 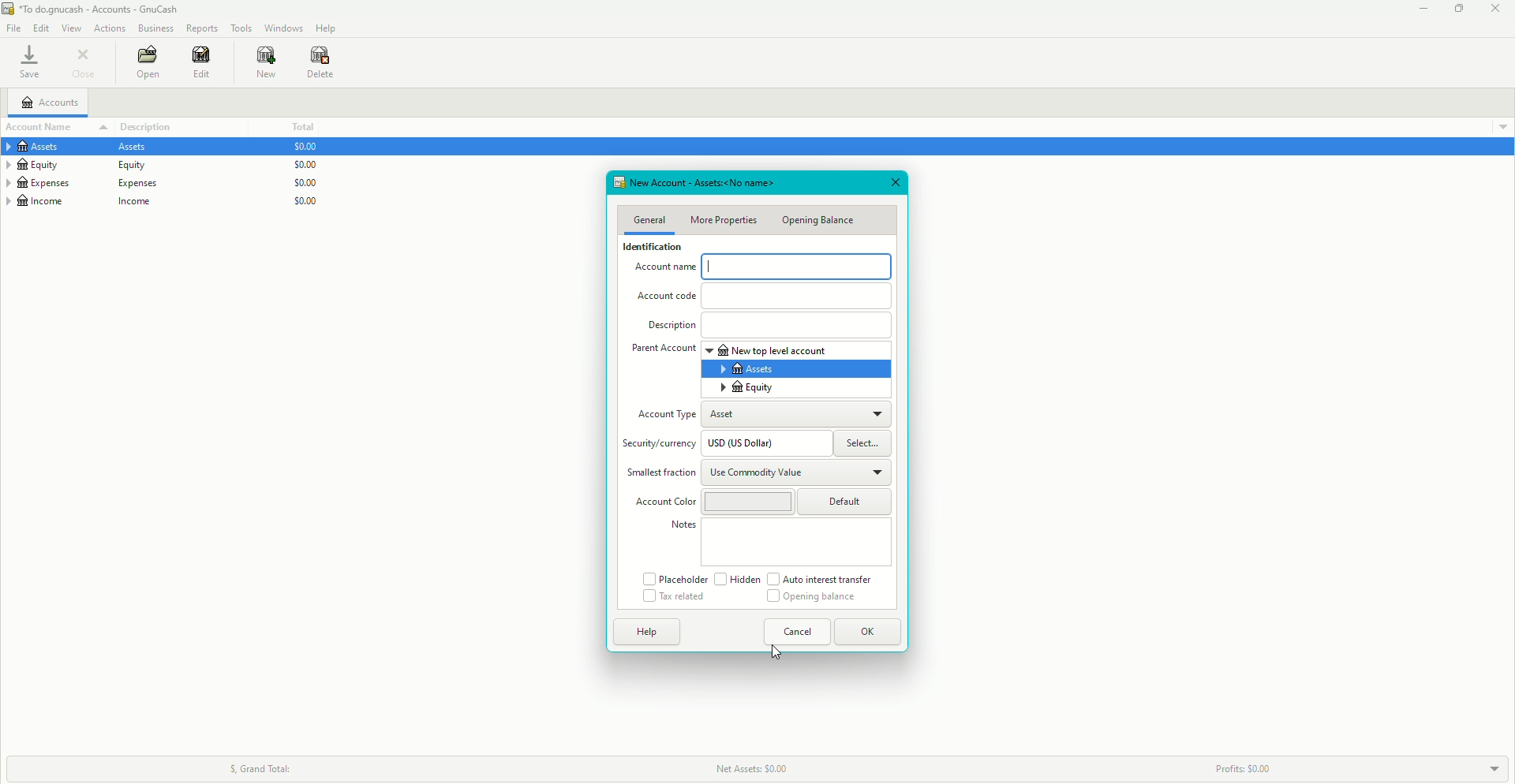 What do you see at coordinates (757, 474) in the screenshot?
I see `Use Commodity value` at bounding box center [757, 474].